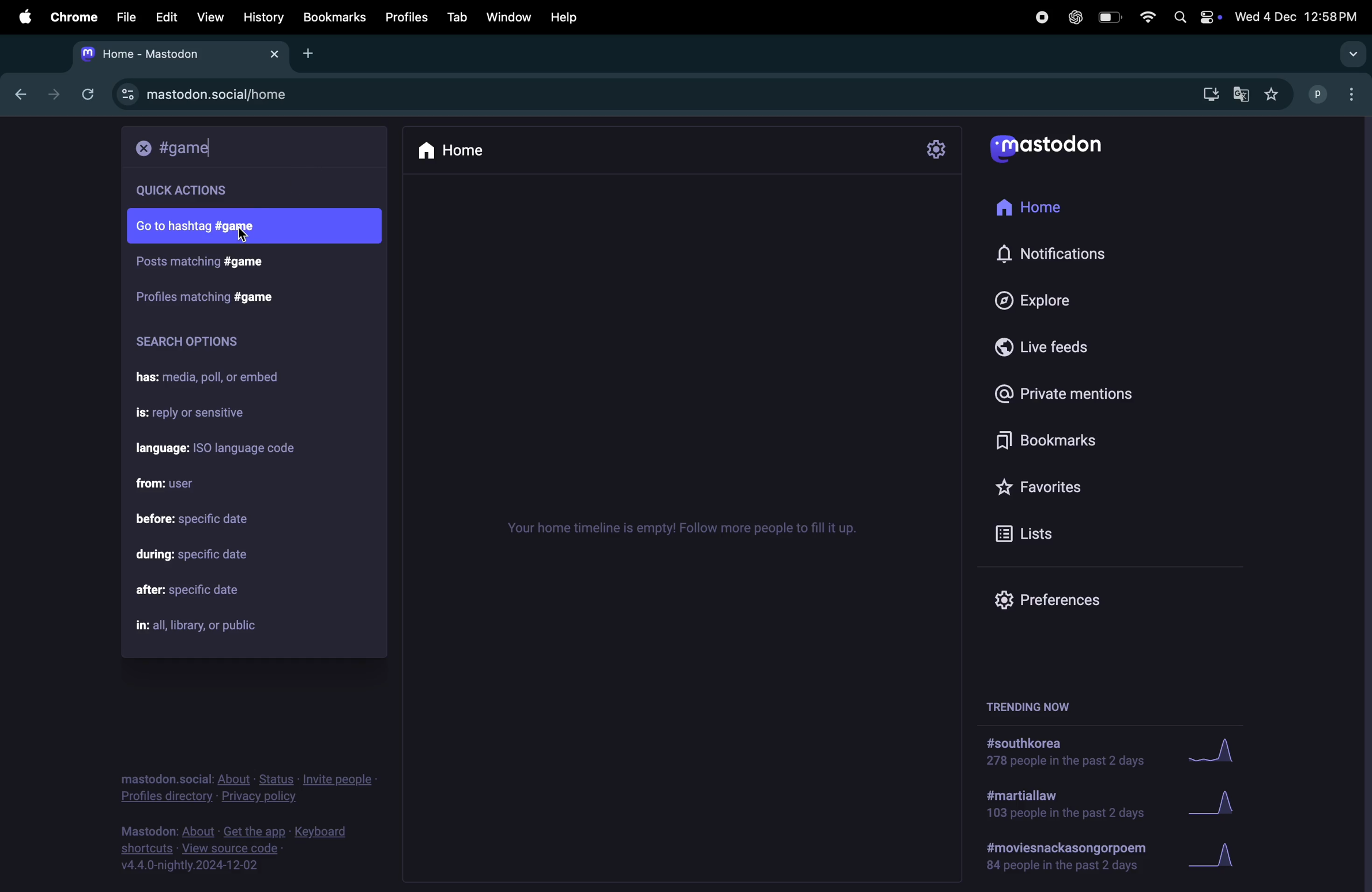 The width and height of the screenshot is (1372, 892). What do you see at coordinates (200, 554) in the screenshot?
I see `during specific date` at bounding box center [200, 554].